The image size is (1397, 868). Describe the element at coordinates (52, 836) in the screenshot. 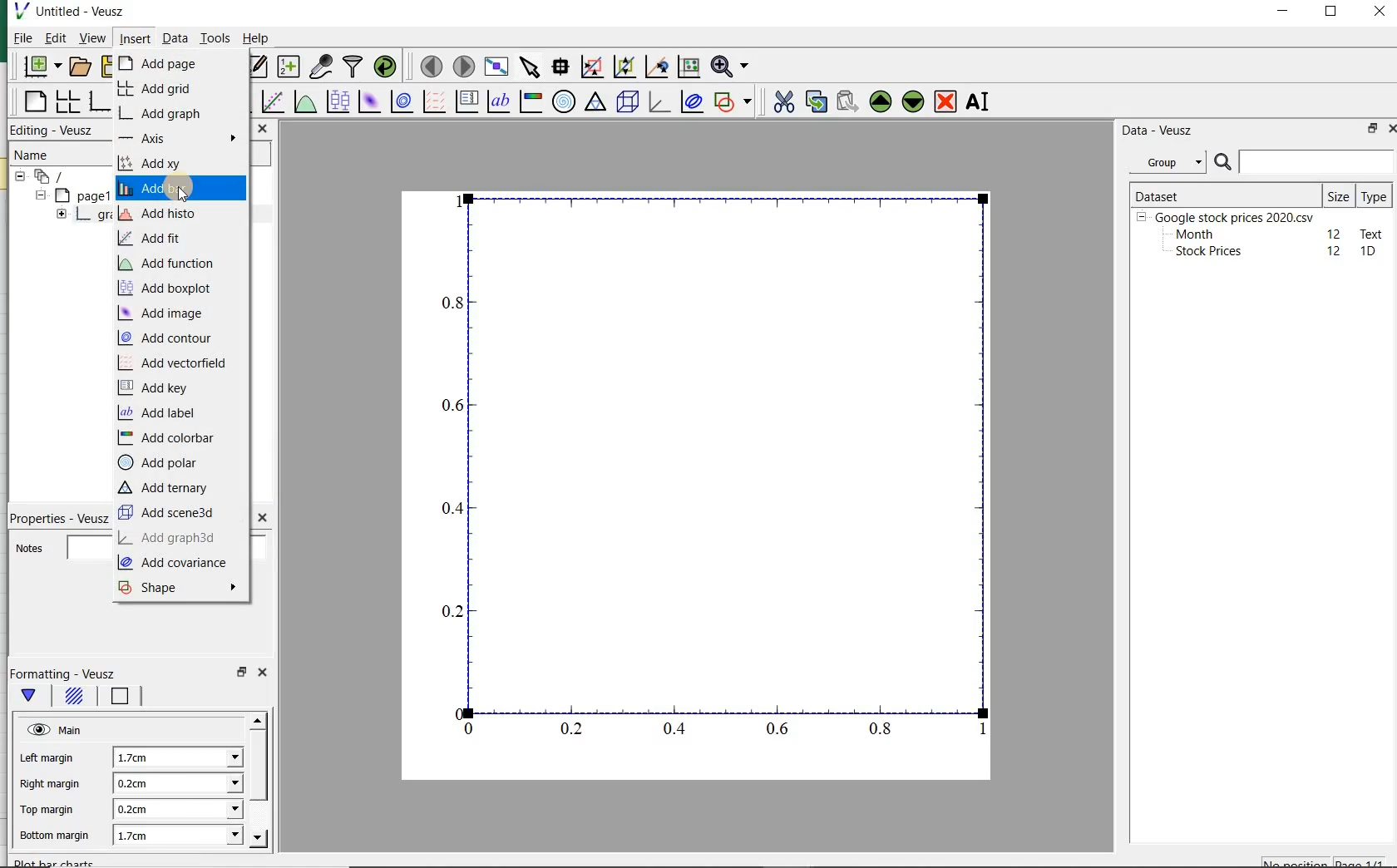

I see `Bottom margin` at that location.